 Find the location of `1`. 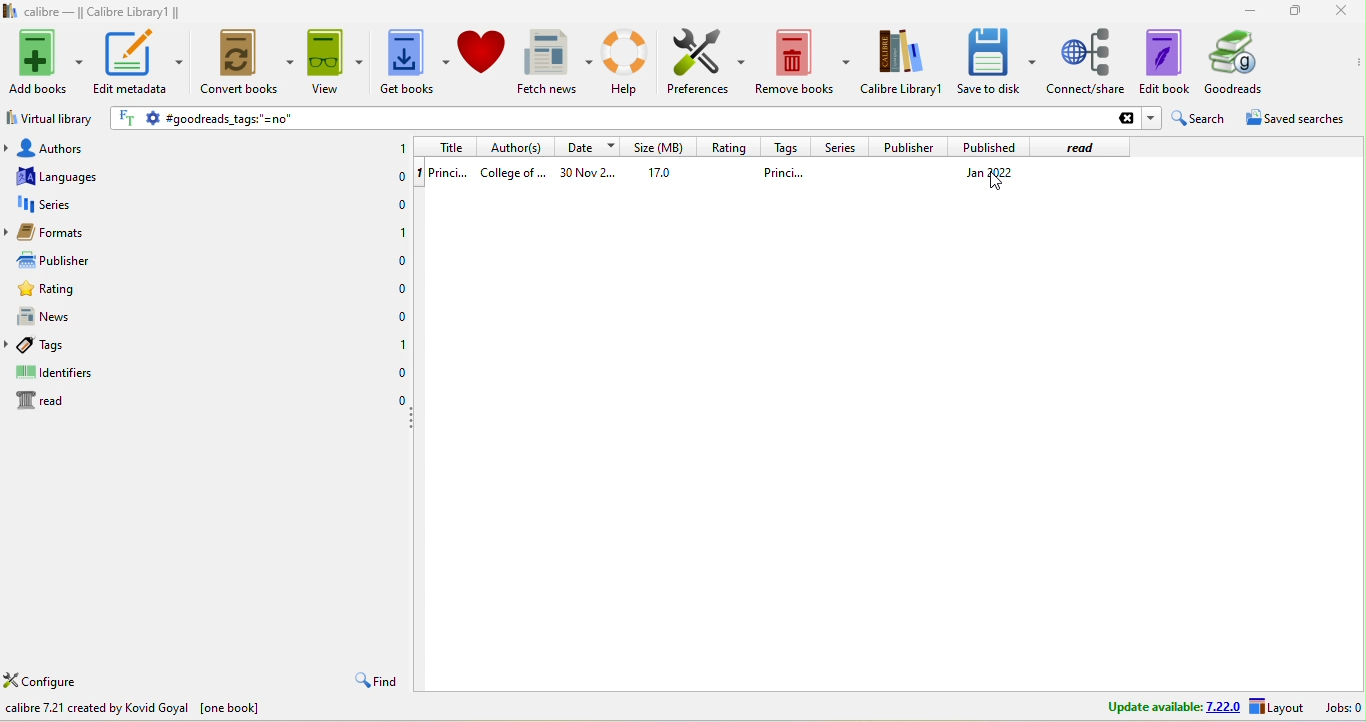

1 is located at coordinates (402, 232).